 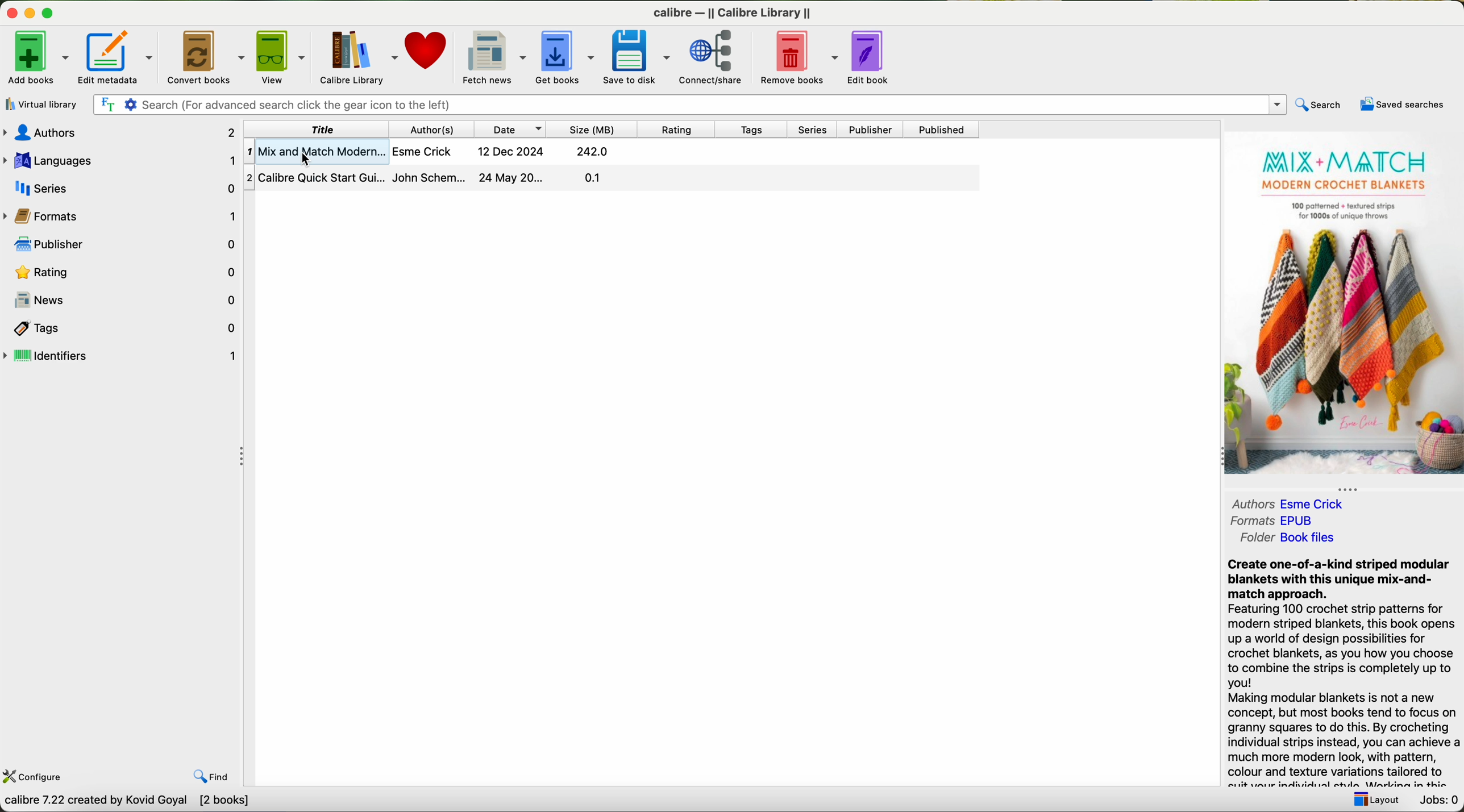 I want to click on publisher, so click(x=870, y=130).